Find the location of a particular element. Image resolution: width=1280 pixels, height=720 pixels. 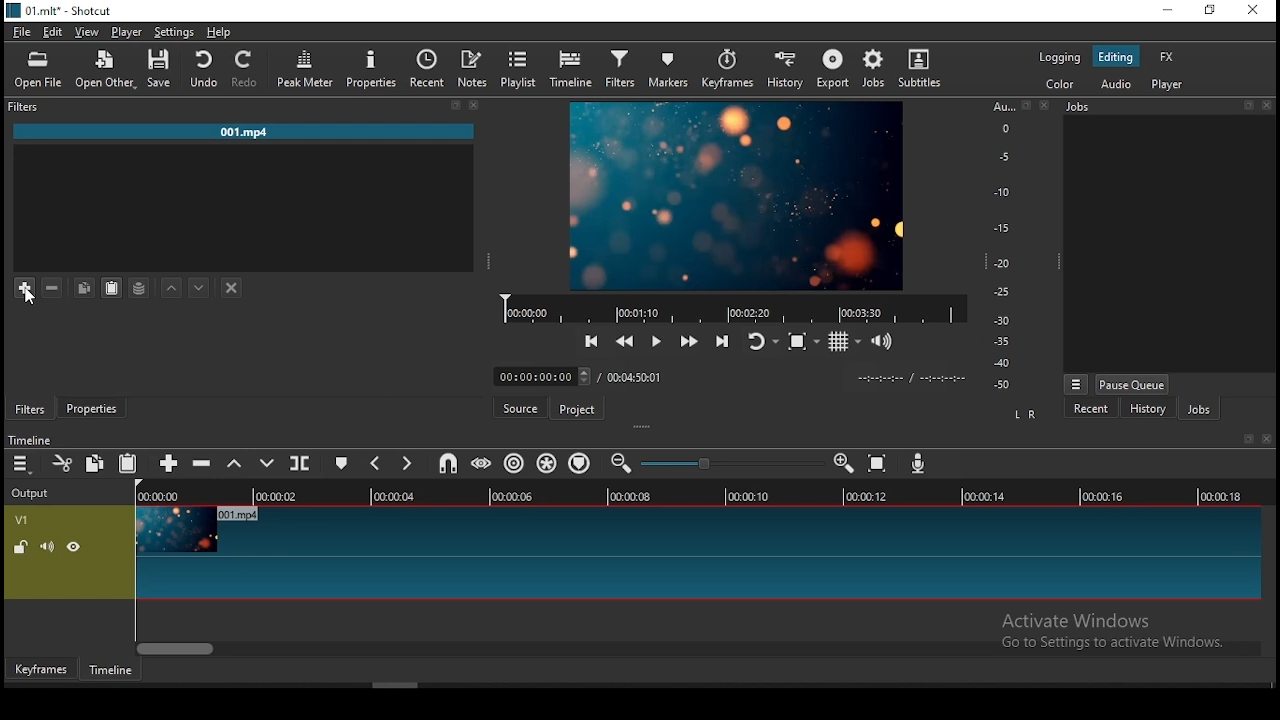

y axis is located at coordinates (998, 248).